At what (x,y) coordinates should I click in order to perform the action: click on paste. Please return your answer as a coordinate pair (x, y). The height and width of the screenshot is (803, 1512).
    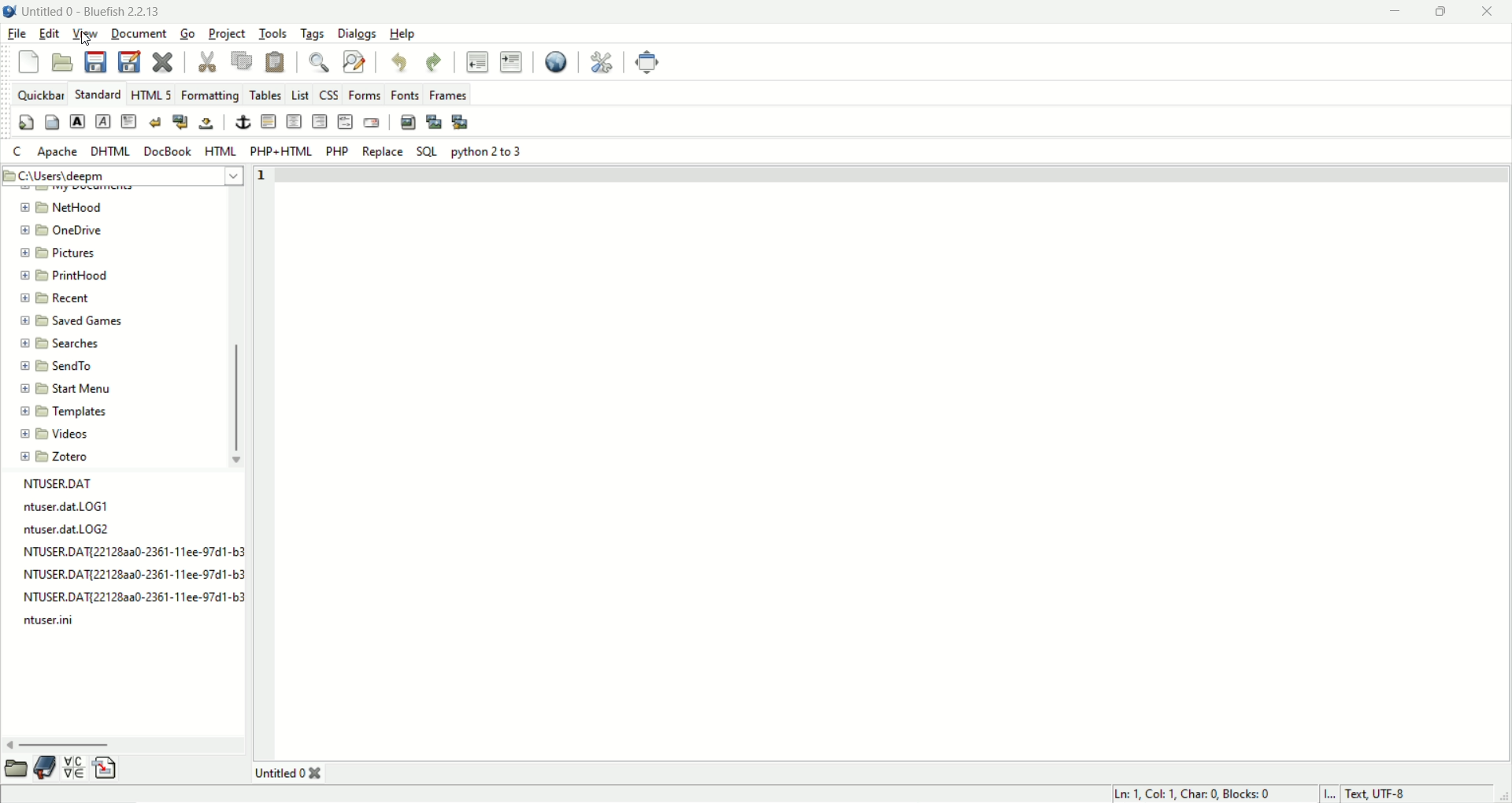
    Looking at the image, I should click on (276, 61).